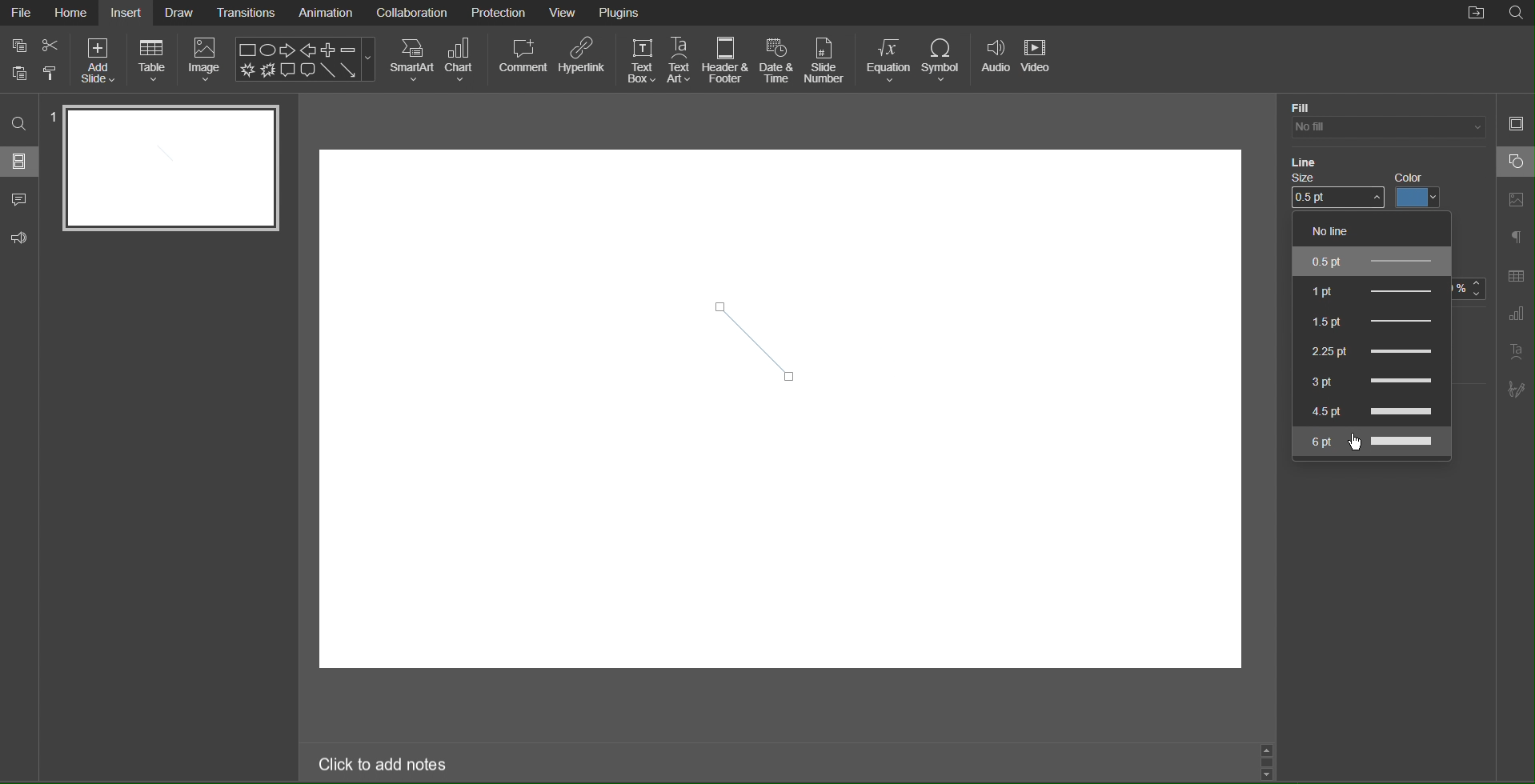 This screenshot has width=1535, height=784. Describe the element at coordinates (305, 58) in the screenshot. I see `Shape Menu` at that location.